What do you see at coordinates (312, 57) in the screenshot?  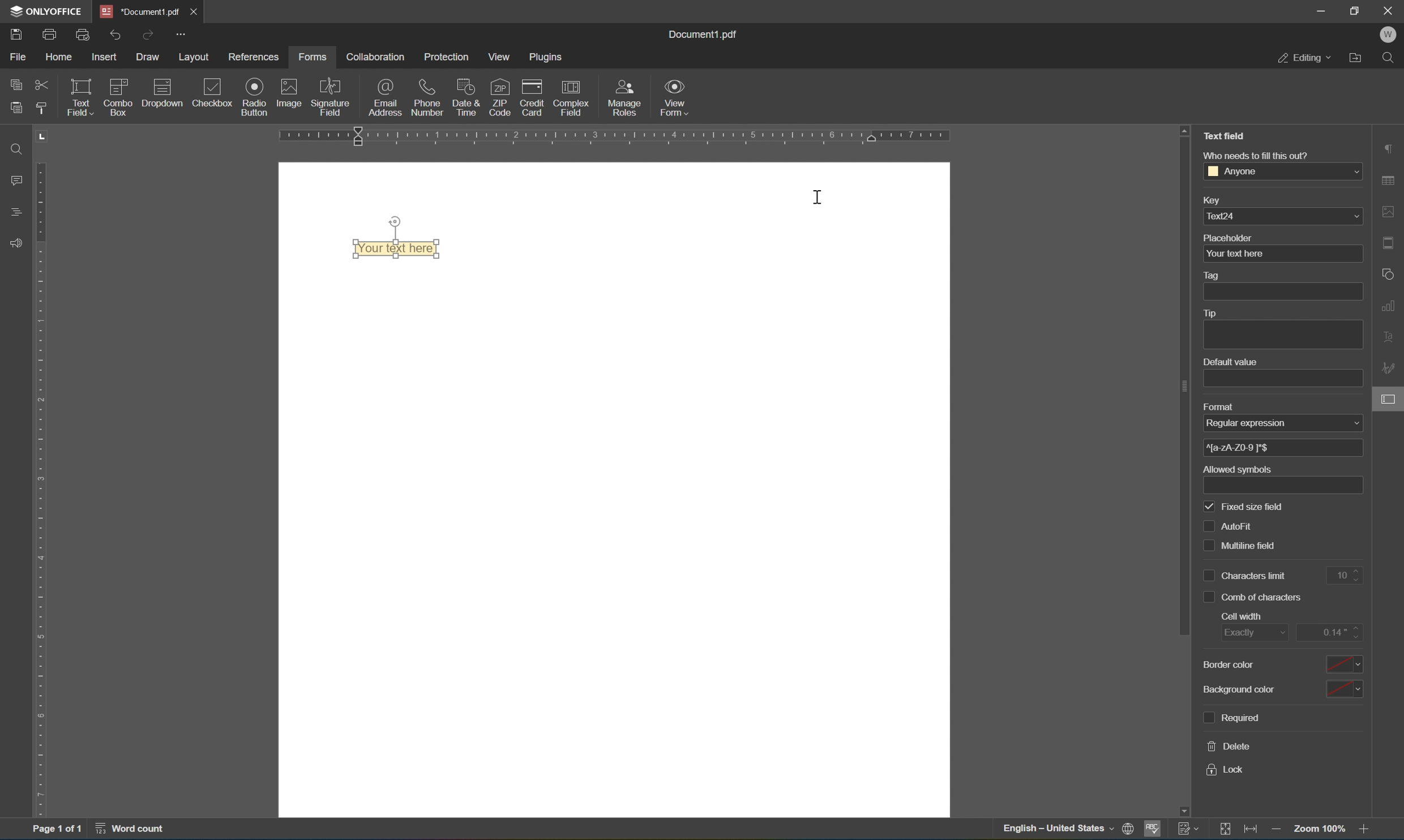 I see `forms` at bounding box center [312, 57].